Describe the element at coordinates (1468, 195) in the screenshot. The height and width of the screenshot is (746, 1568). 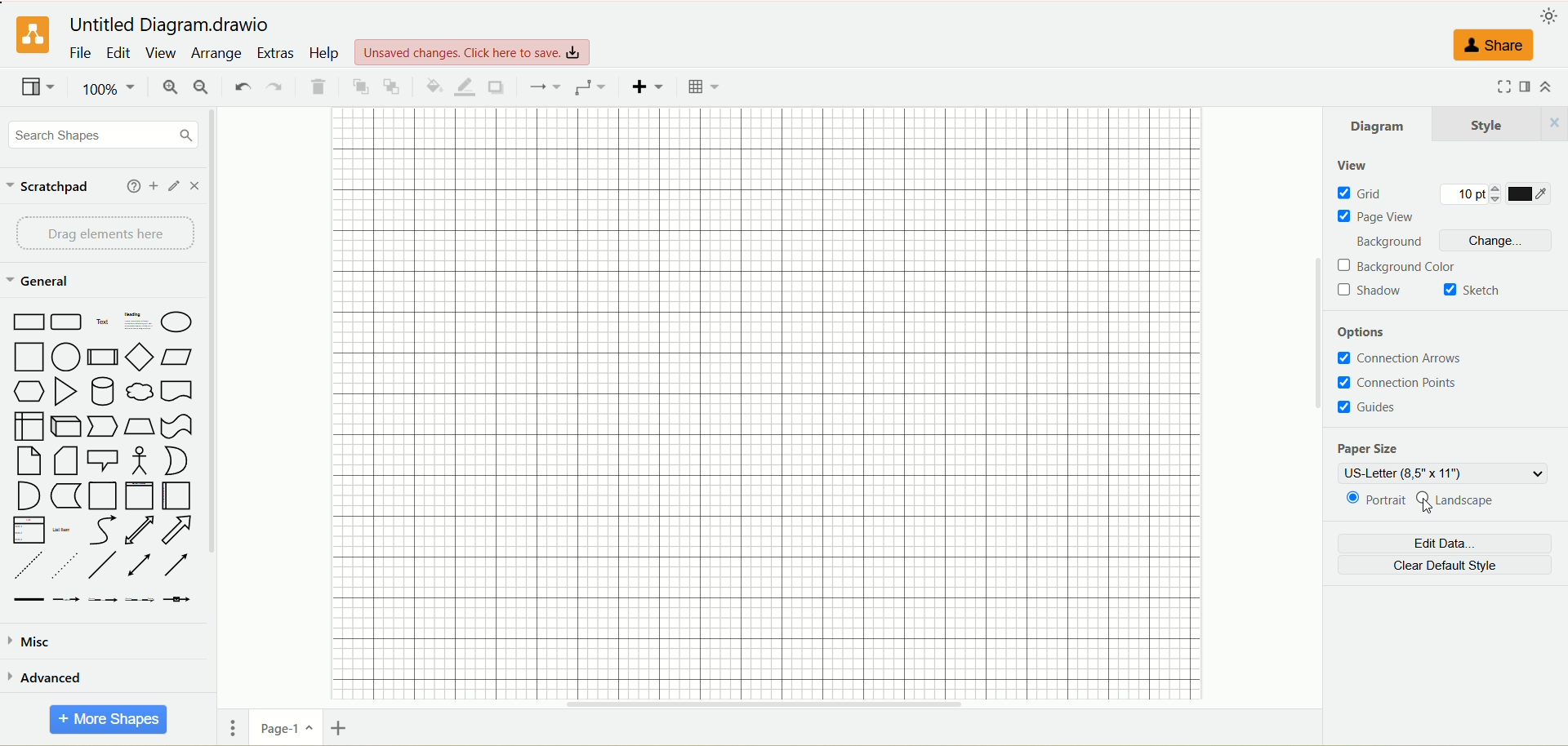
I see `10 pt` at that location.